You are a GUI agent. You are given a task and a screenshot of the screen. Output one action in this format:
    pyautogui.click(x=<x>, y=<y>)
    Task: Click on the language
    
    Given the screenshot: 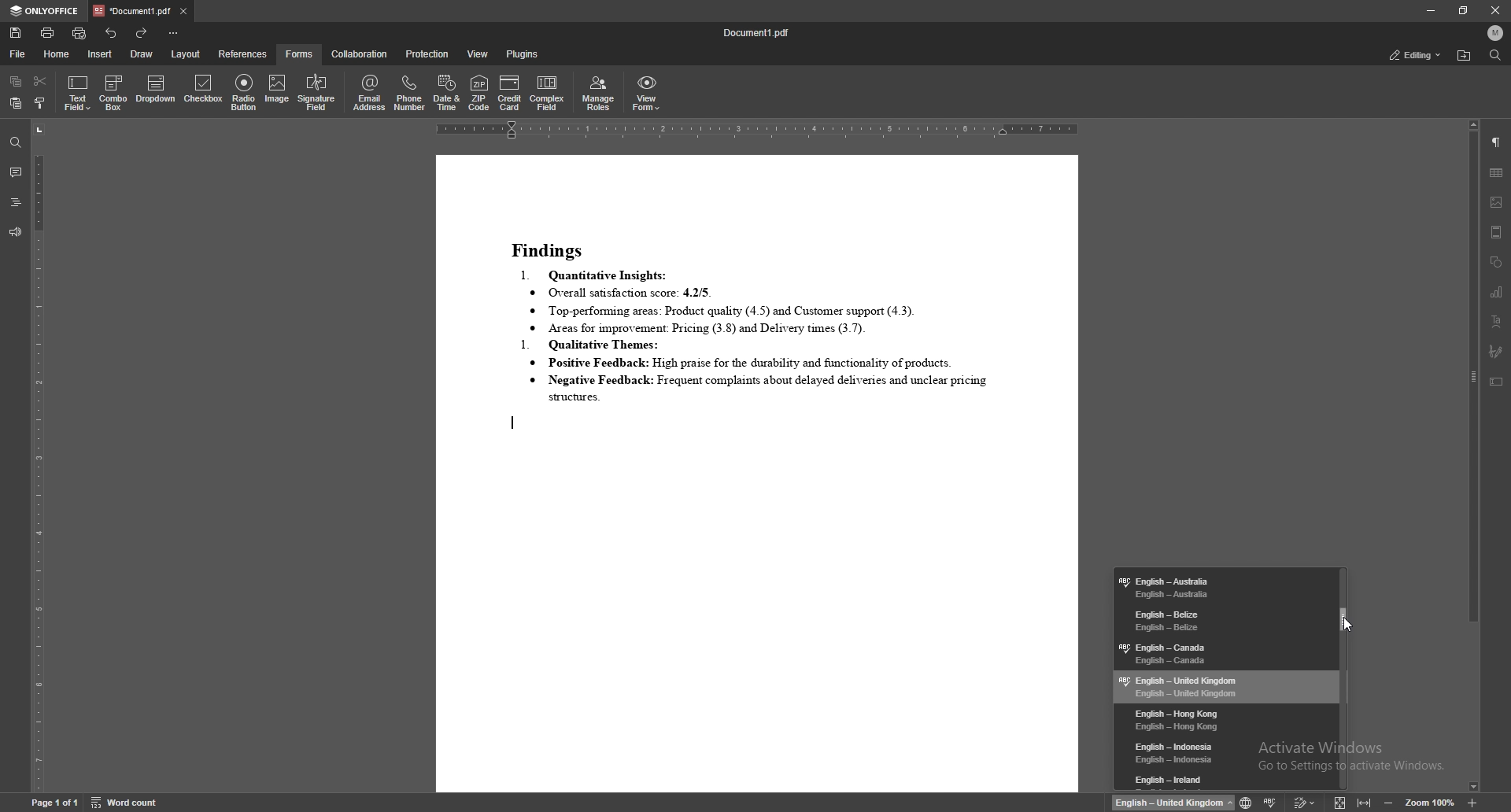 What is the action you would take?
    pyautogui.click(x=1221, y=586)
    